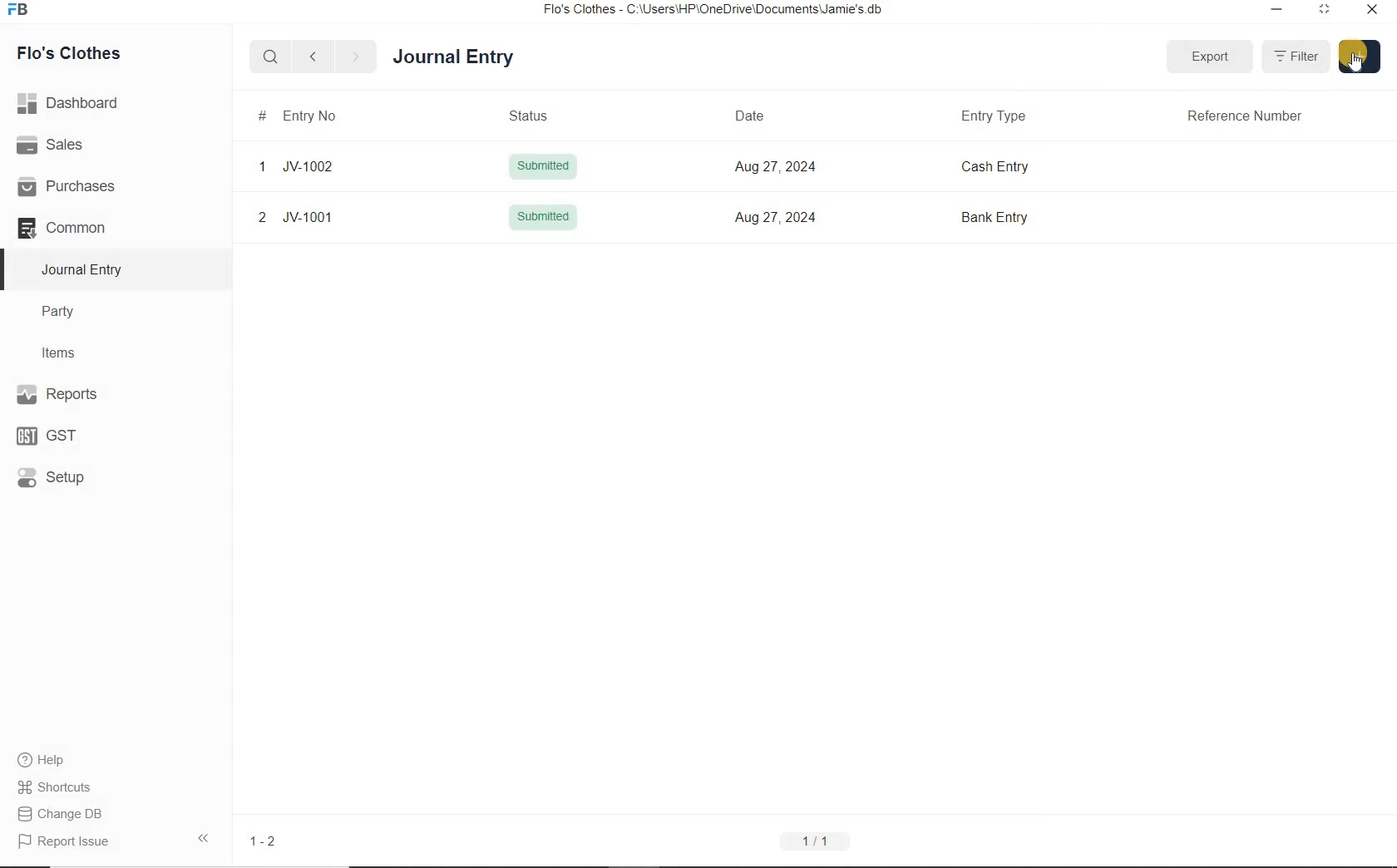 This screenshot has height=868, width=1397. Describe the element at coordinates (804, 219) in the screenshot. I see `2 Jv-1001 ‘Submitted Aug 27,2024 Bank Entry` at that location.